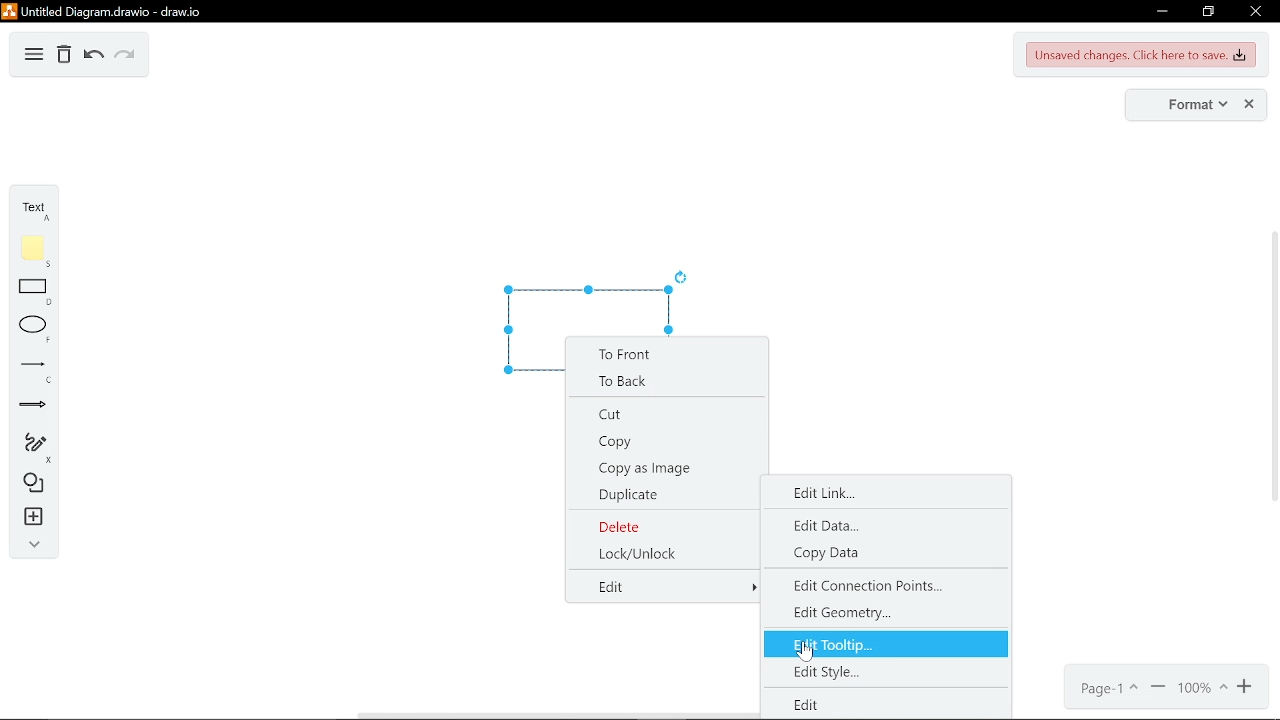 This screenshot has height=720, width=1280. What do you see at coordinates (667, 586) in the screenshot?
I see `edit` at bounding box center [667, 586].